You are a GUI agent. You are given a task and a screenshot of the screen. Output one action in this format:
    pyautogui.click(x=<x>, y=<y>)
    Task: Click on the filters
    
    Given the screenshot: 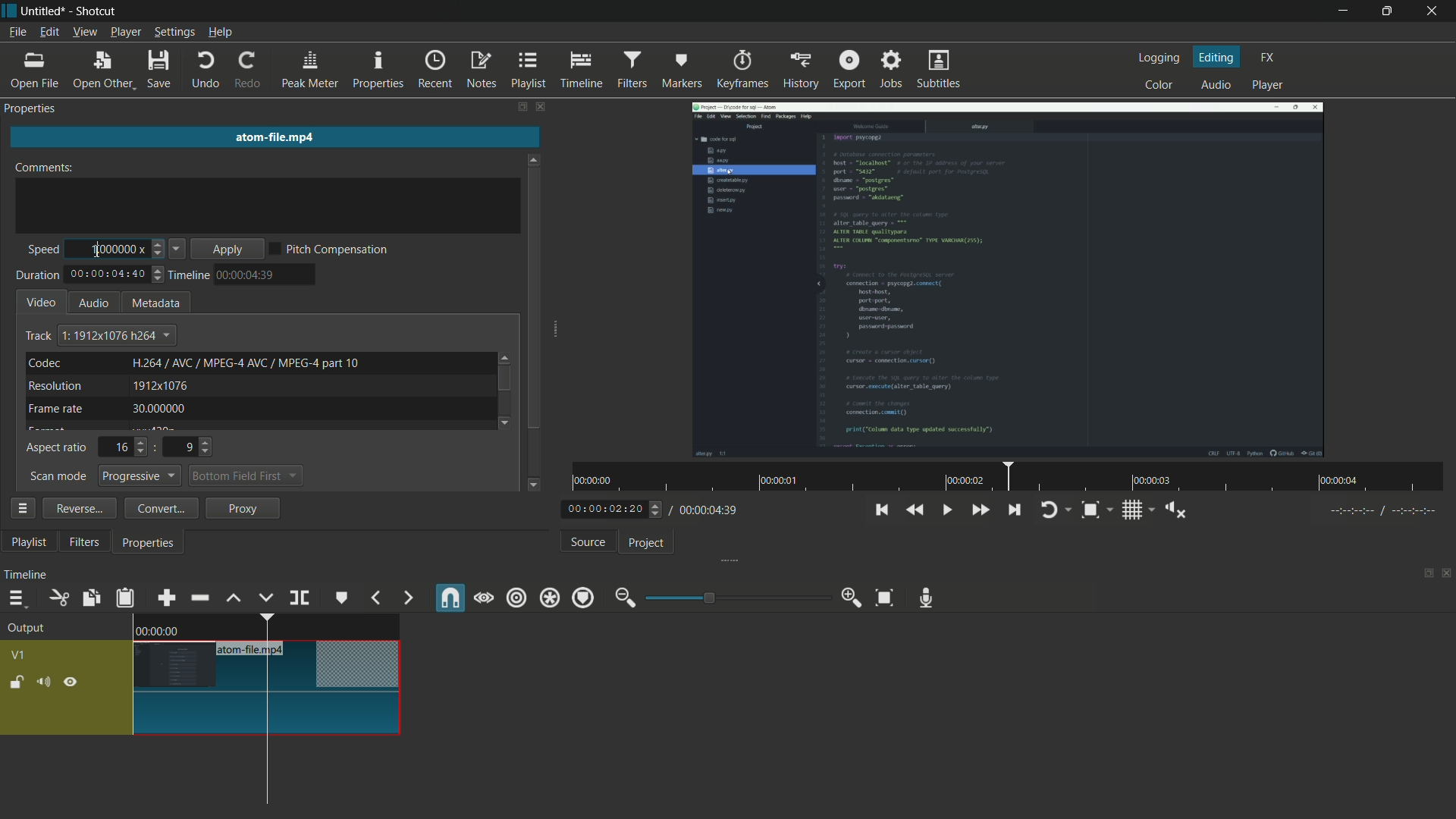 What is the action you would take?
    pyautogui.click(x=632, y=69)
    